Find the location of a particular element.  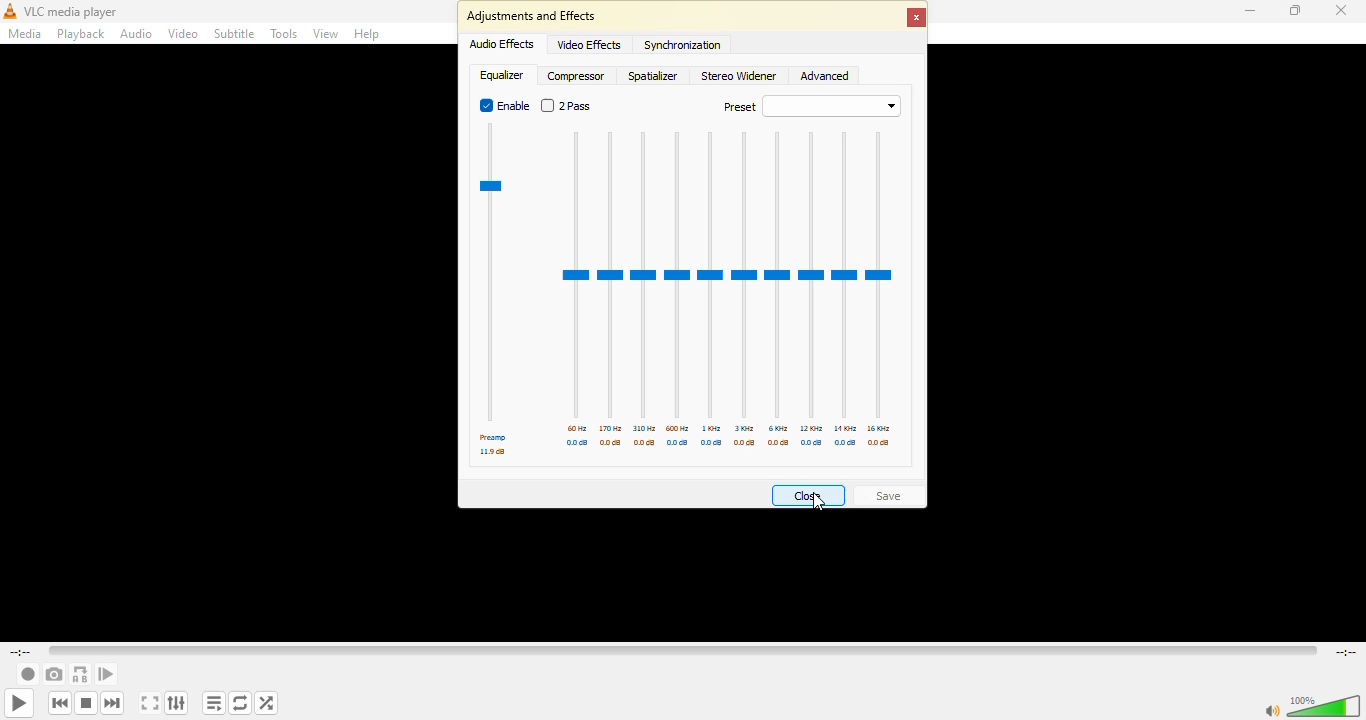

compressor is located at coordinates (578, 76).